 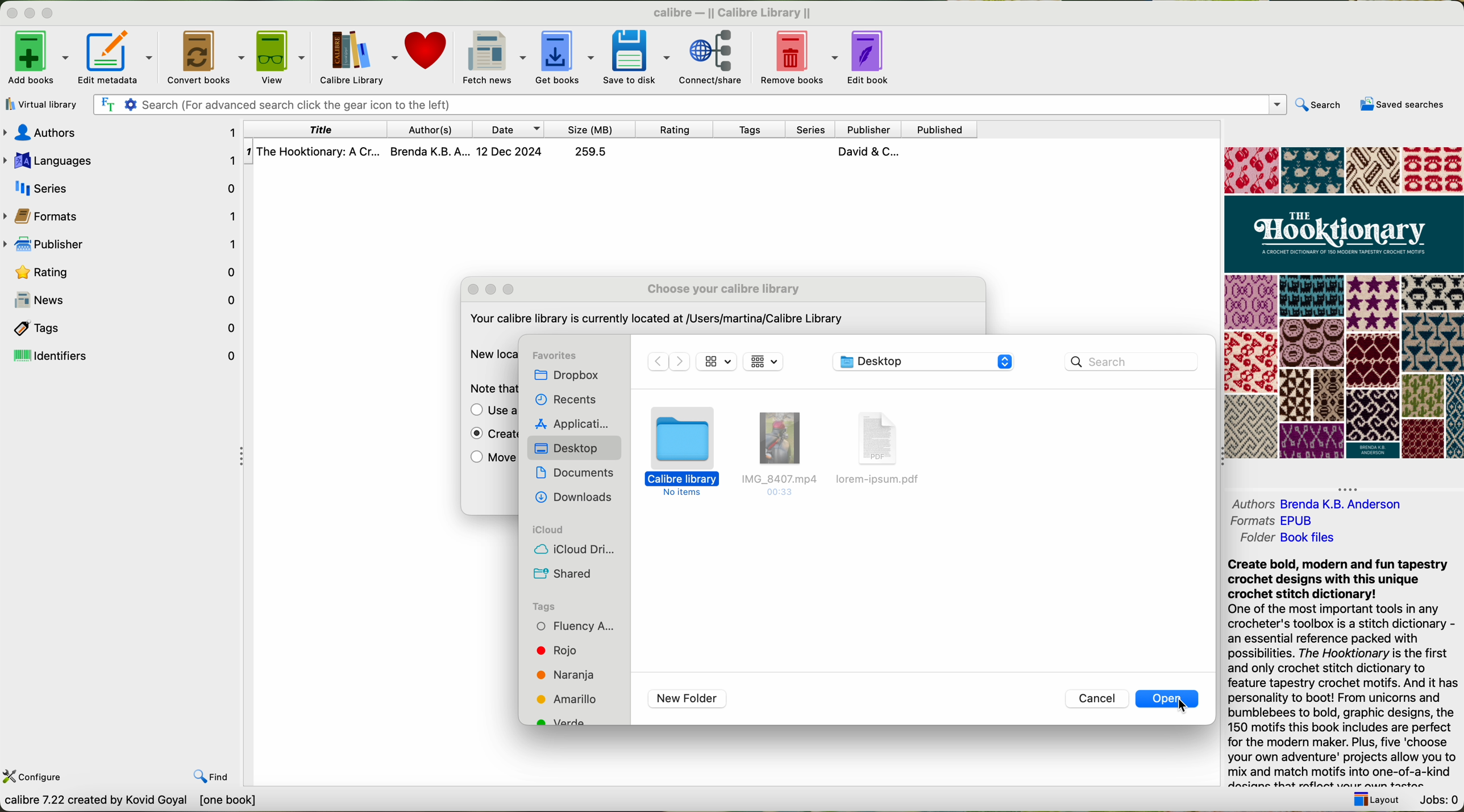 I want to click on publisher, so click(x=868, y=128).